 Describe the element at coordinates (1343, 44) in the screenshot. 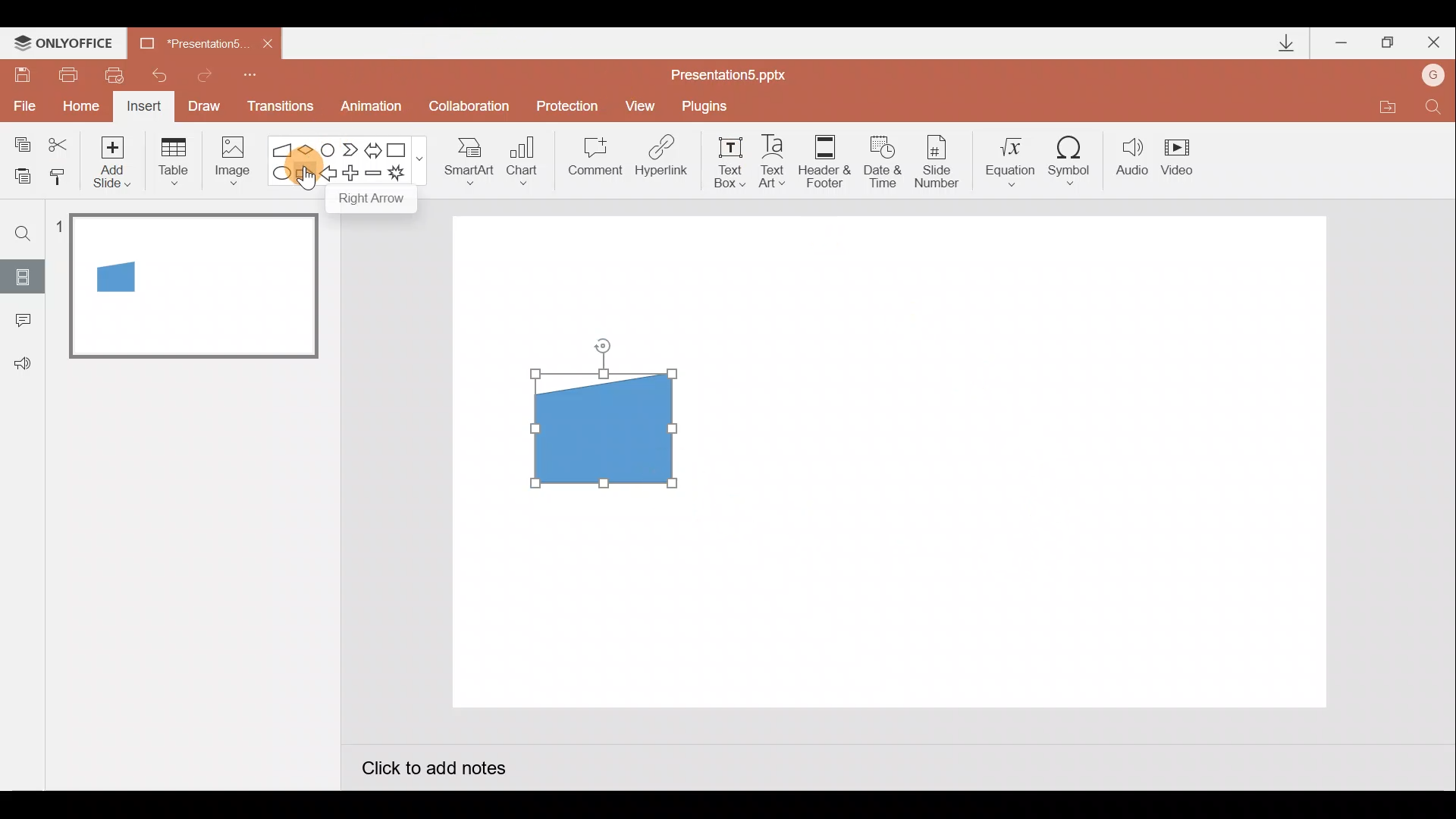

I see `Minimize` at that location.